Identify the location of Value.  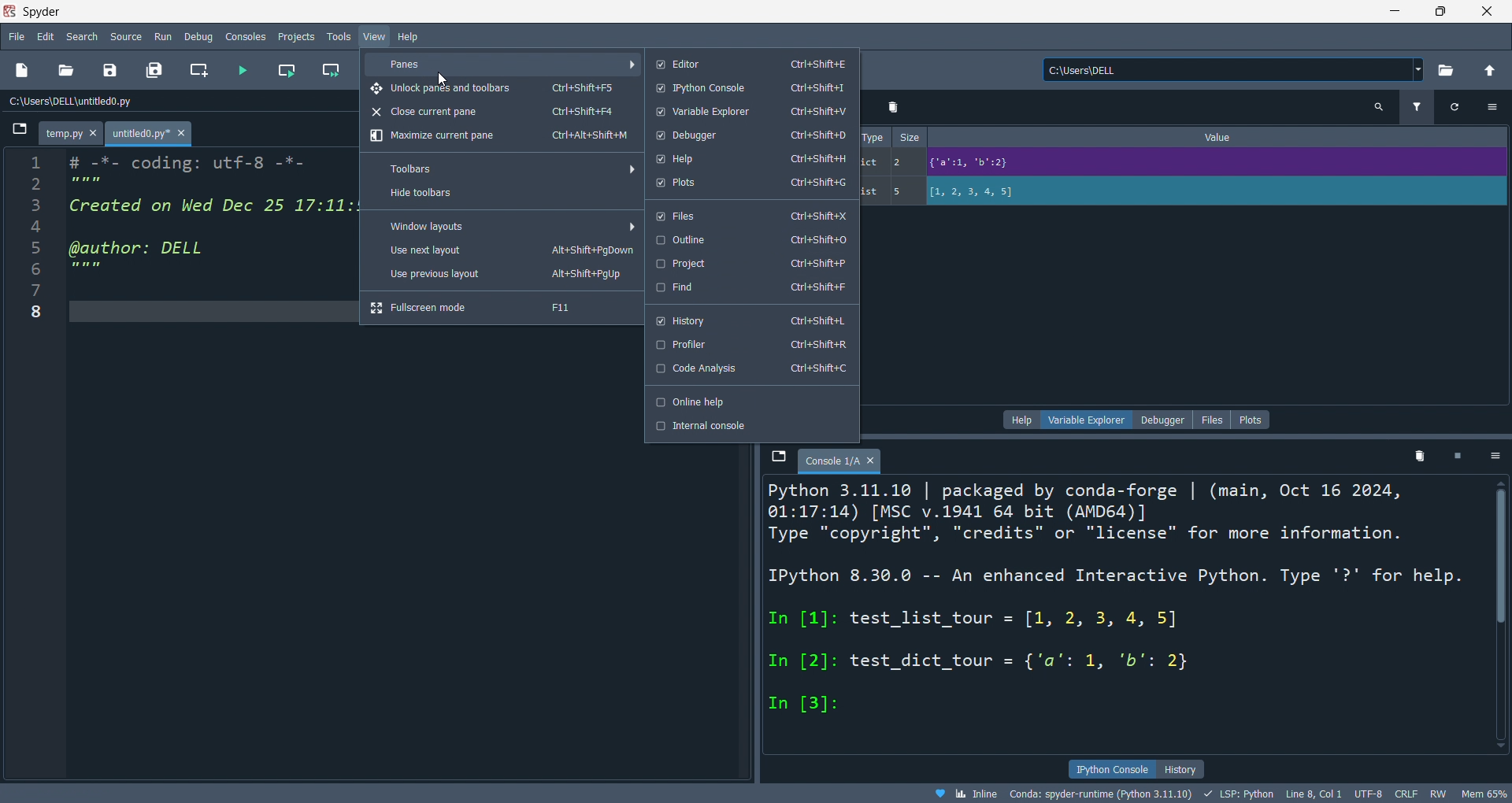
(1220, 166).